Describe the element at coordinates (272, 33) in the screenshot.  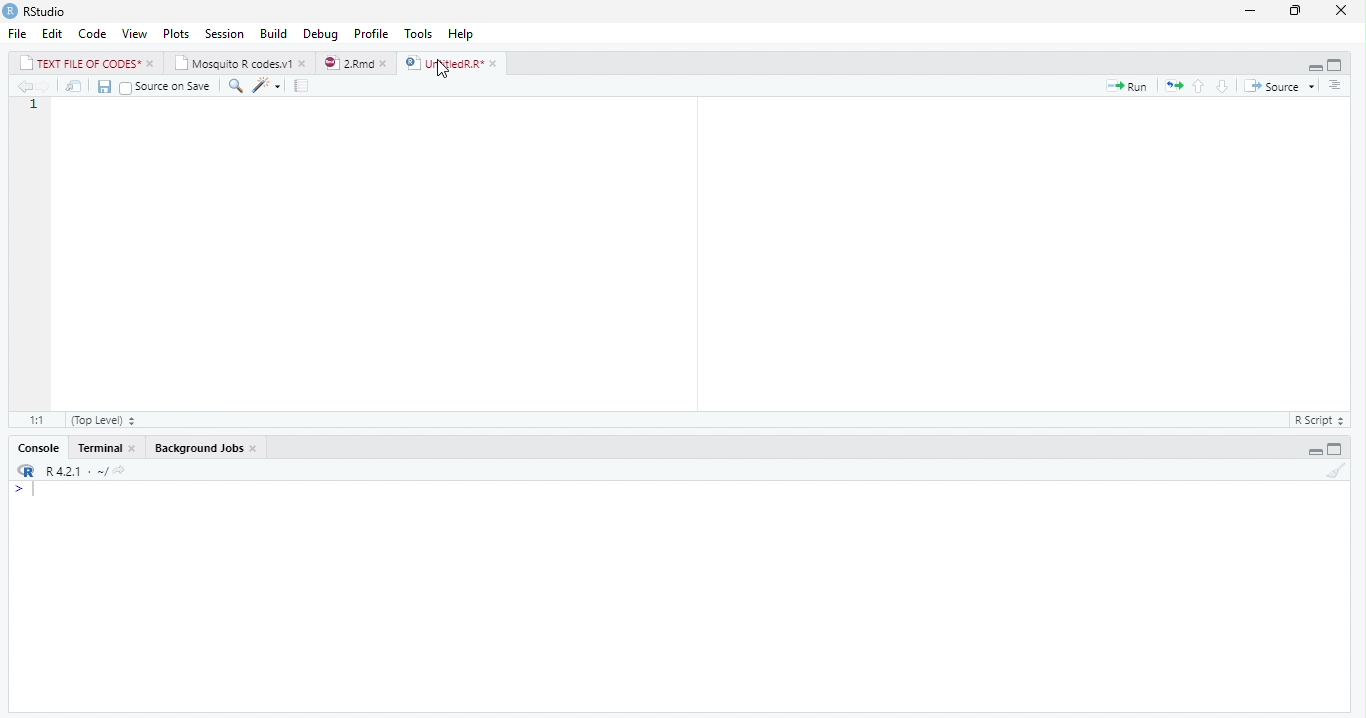
I see `Build` at that location.